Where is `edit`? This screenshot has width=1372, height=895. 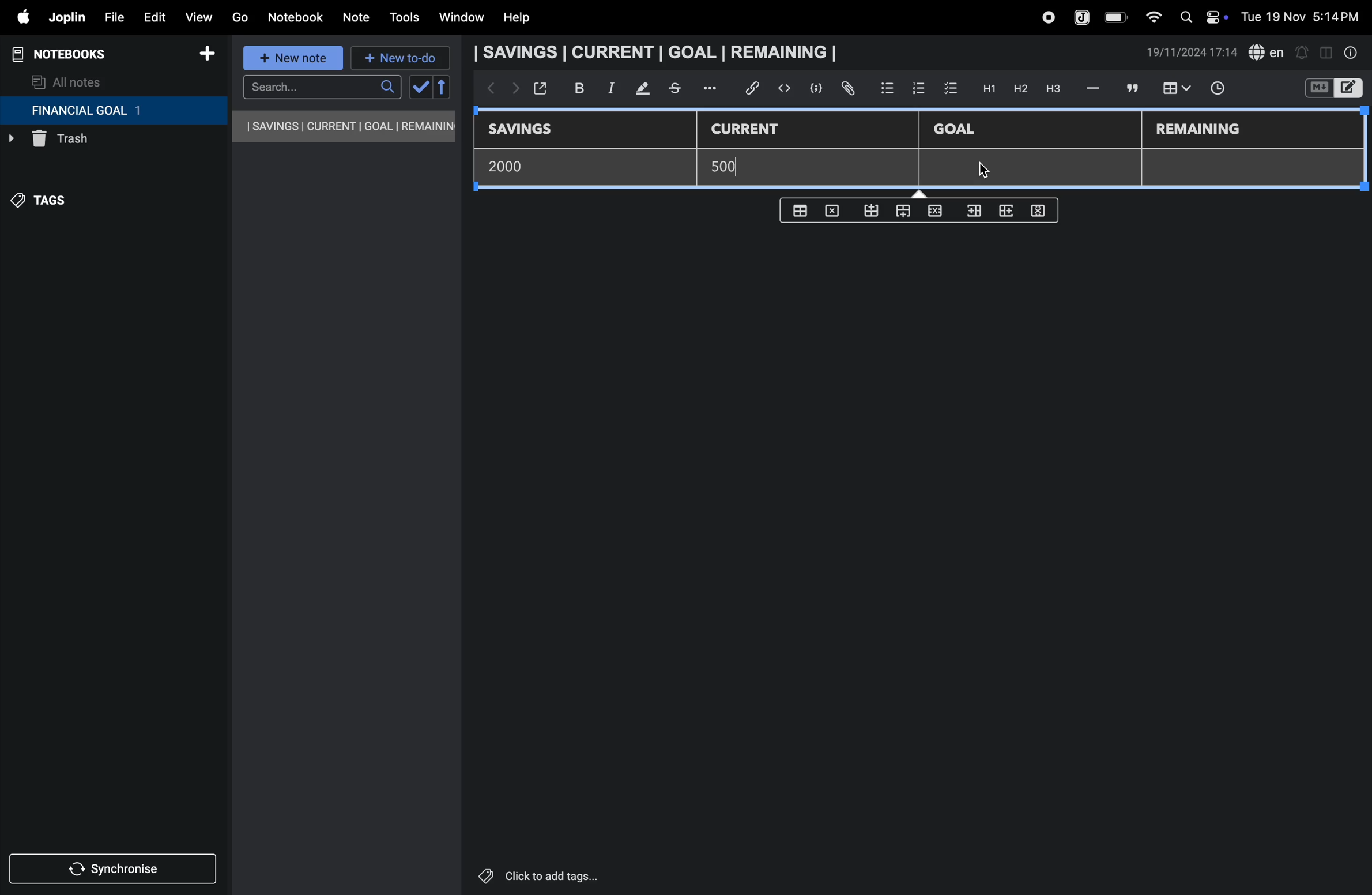 edit is located at coordinates (149, 14).